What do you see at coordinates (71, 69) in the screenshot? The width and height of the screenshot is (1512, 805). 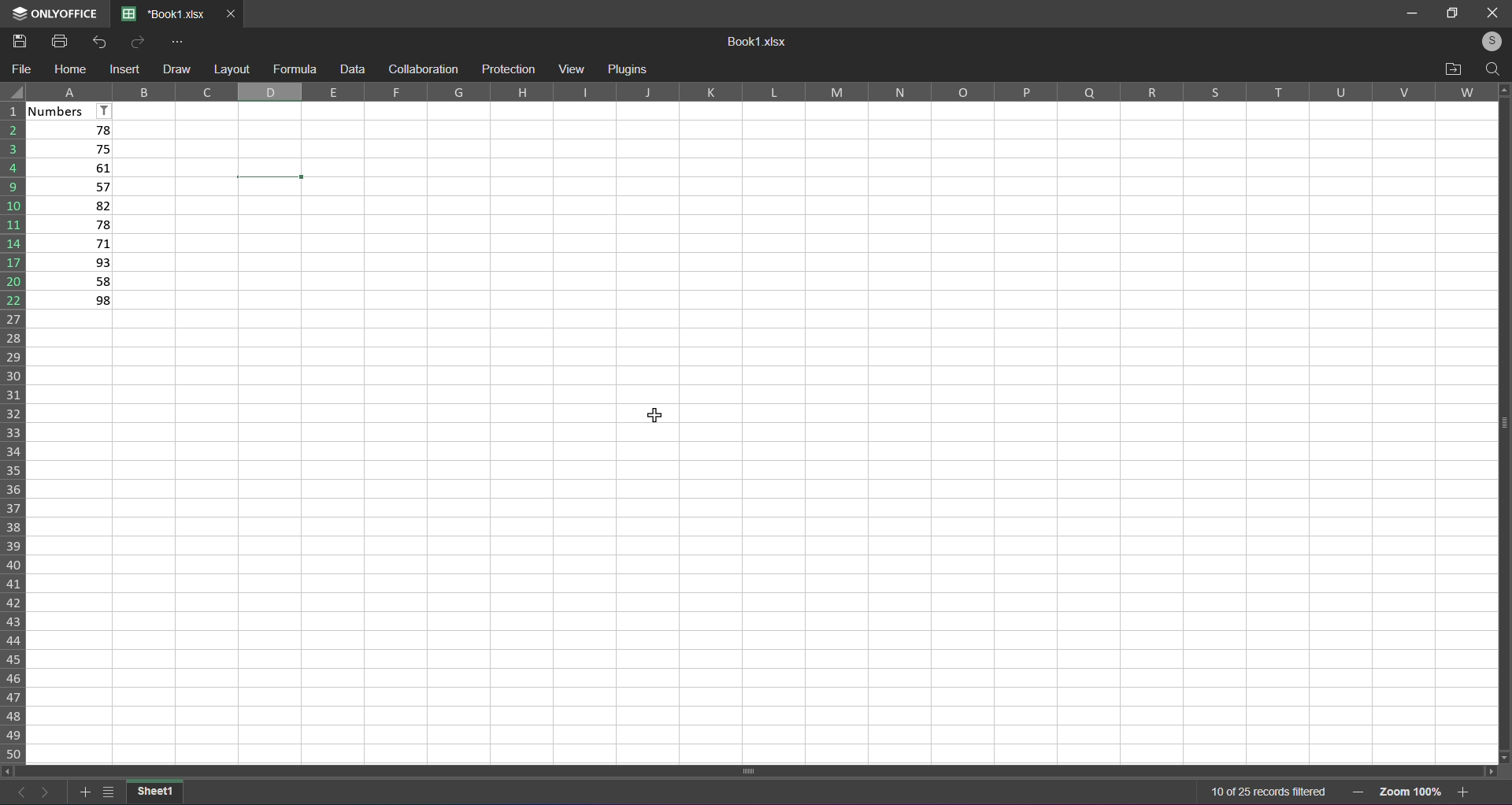 I see `home` at bounding box center [71, 69].